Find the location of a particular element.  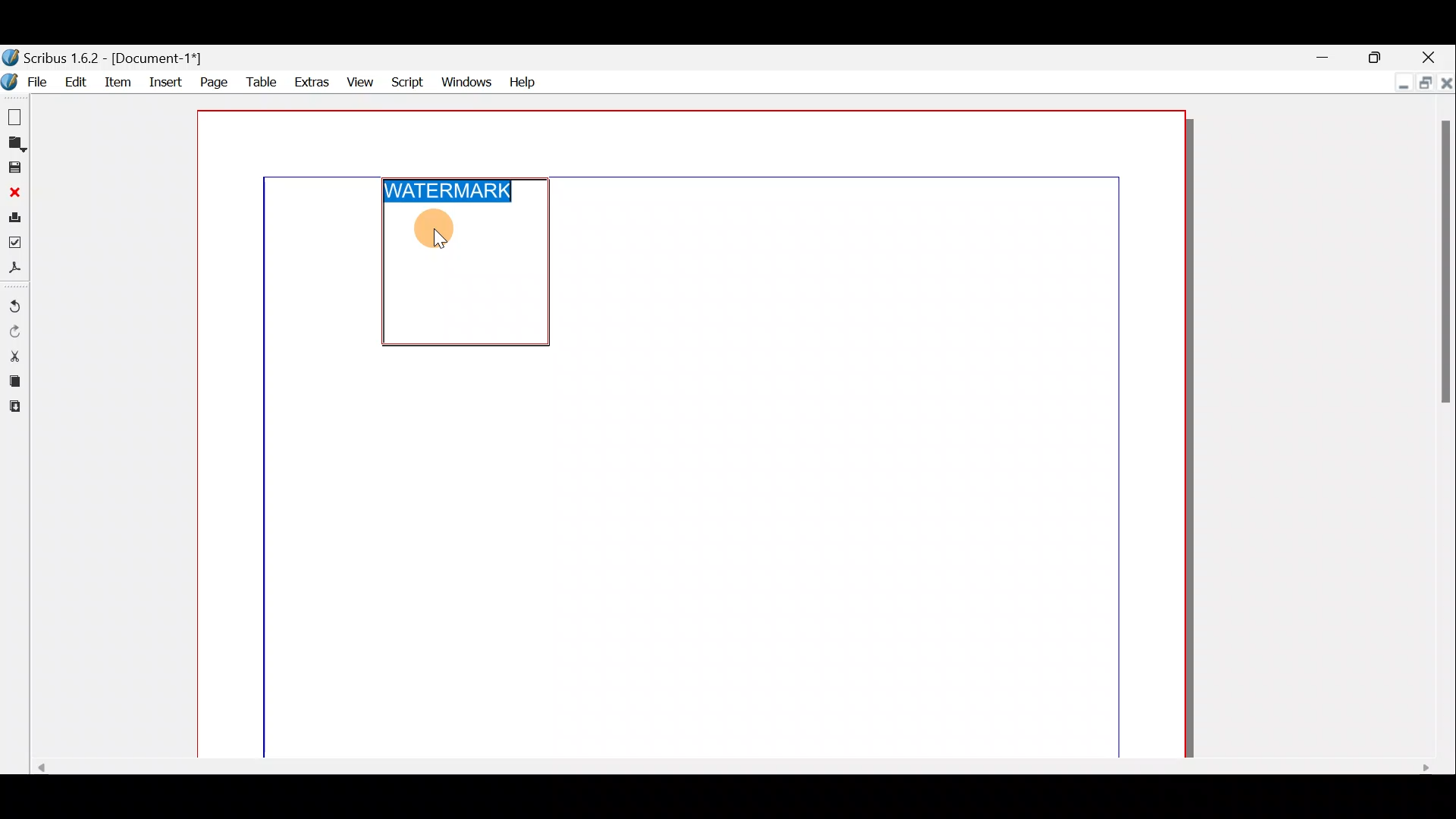

Paste is located at coordinates (13, 409).